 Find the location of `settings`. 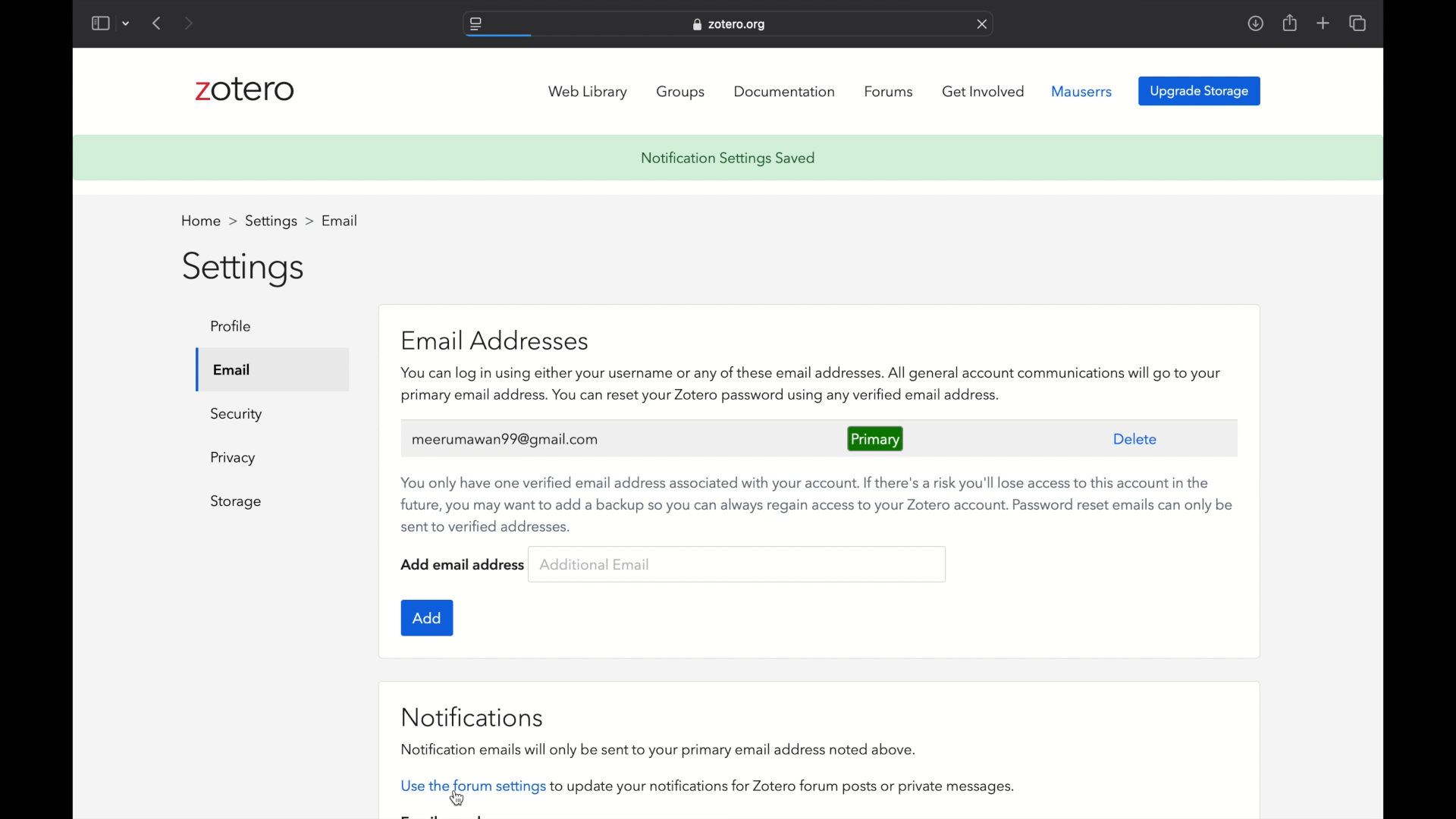

settings is located at coordinates (245, 270).